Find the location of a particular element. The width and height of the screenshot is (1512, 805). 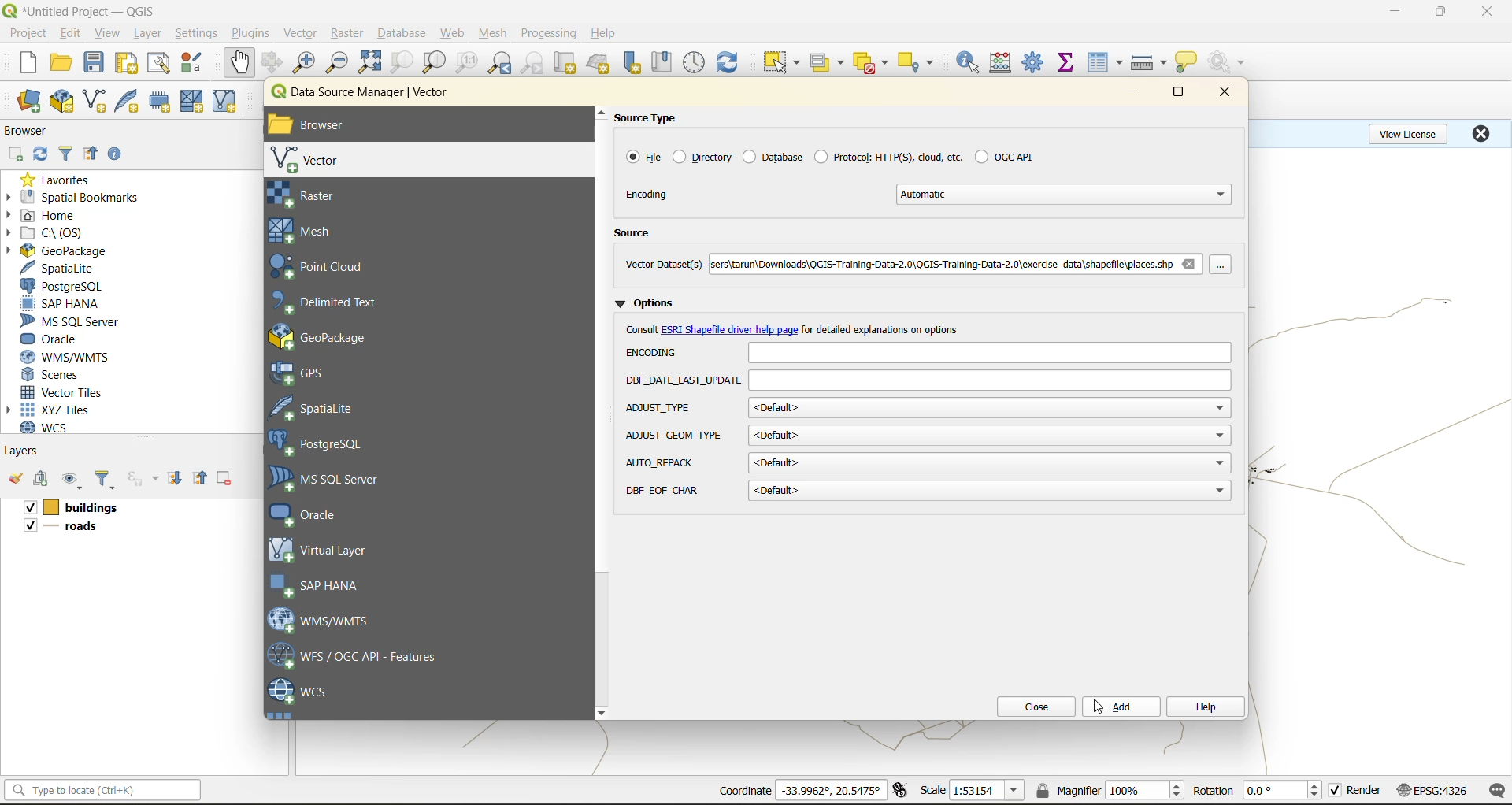

deselect value is located at coordinates (873, 63).